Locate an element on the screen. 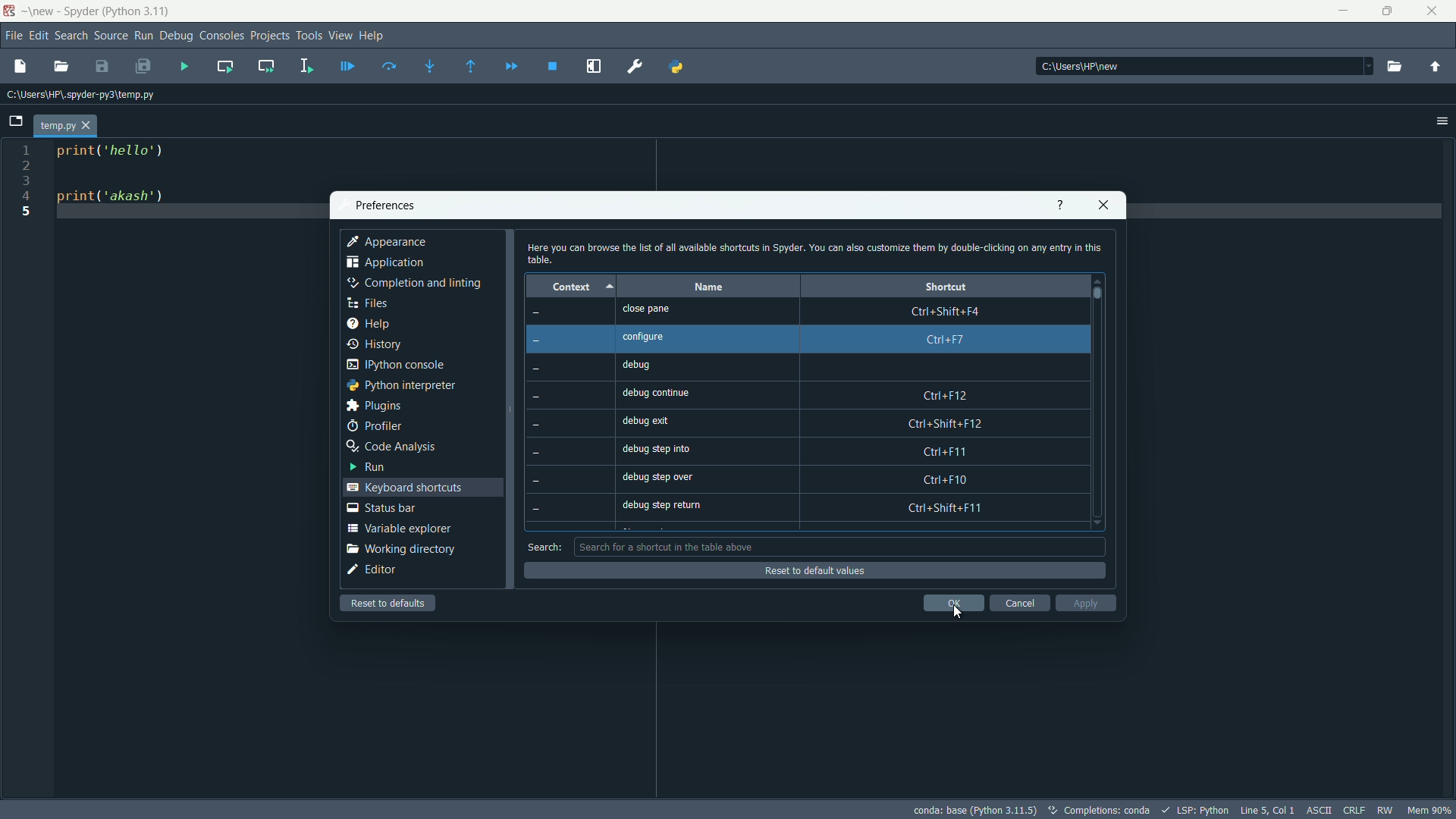 The image size is (1456, 819). keyboard shortcut is located at coordinates (947, 409).